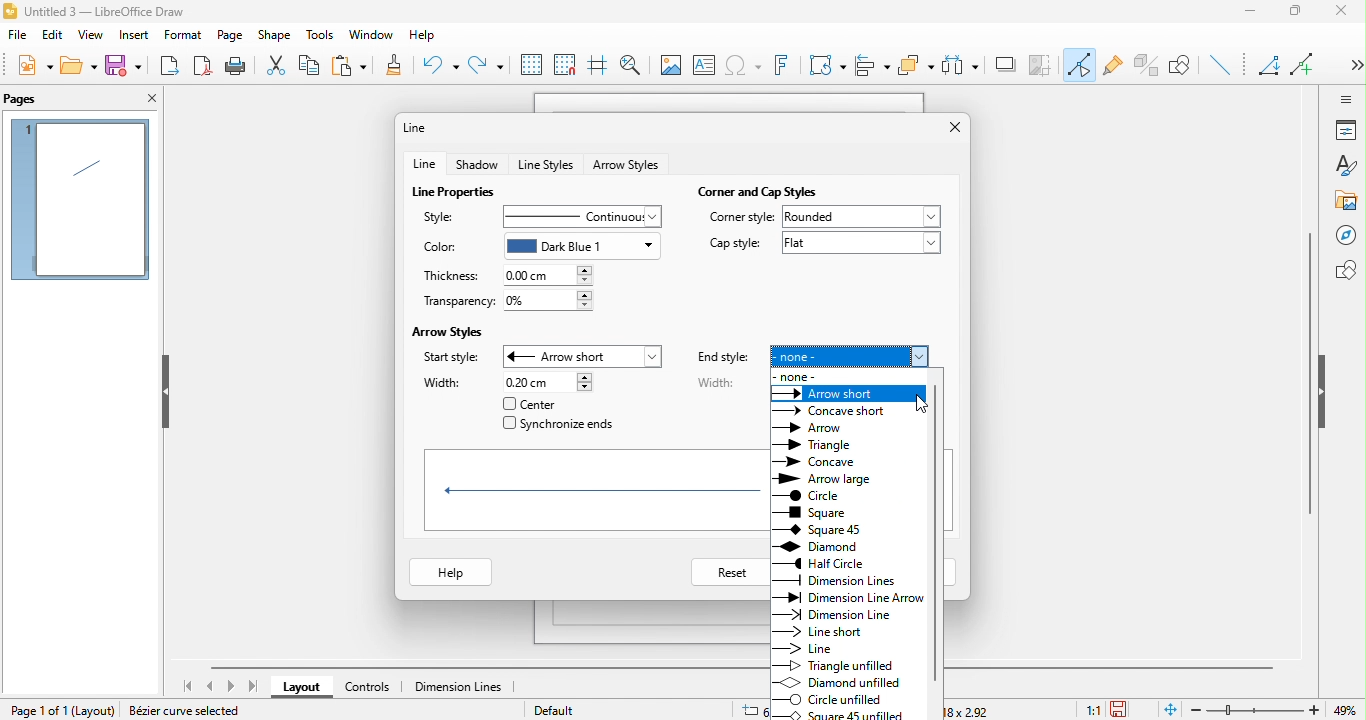 The width and height of the screenshot is (1366, 720). I want to click on previous page, so click(212, 684).